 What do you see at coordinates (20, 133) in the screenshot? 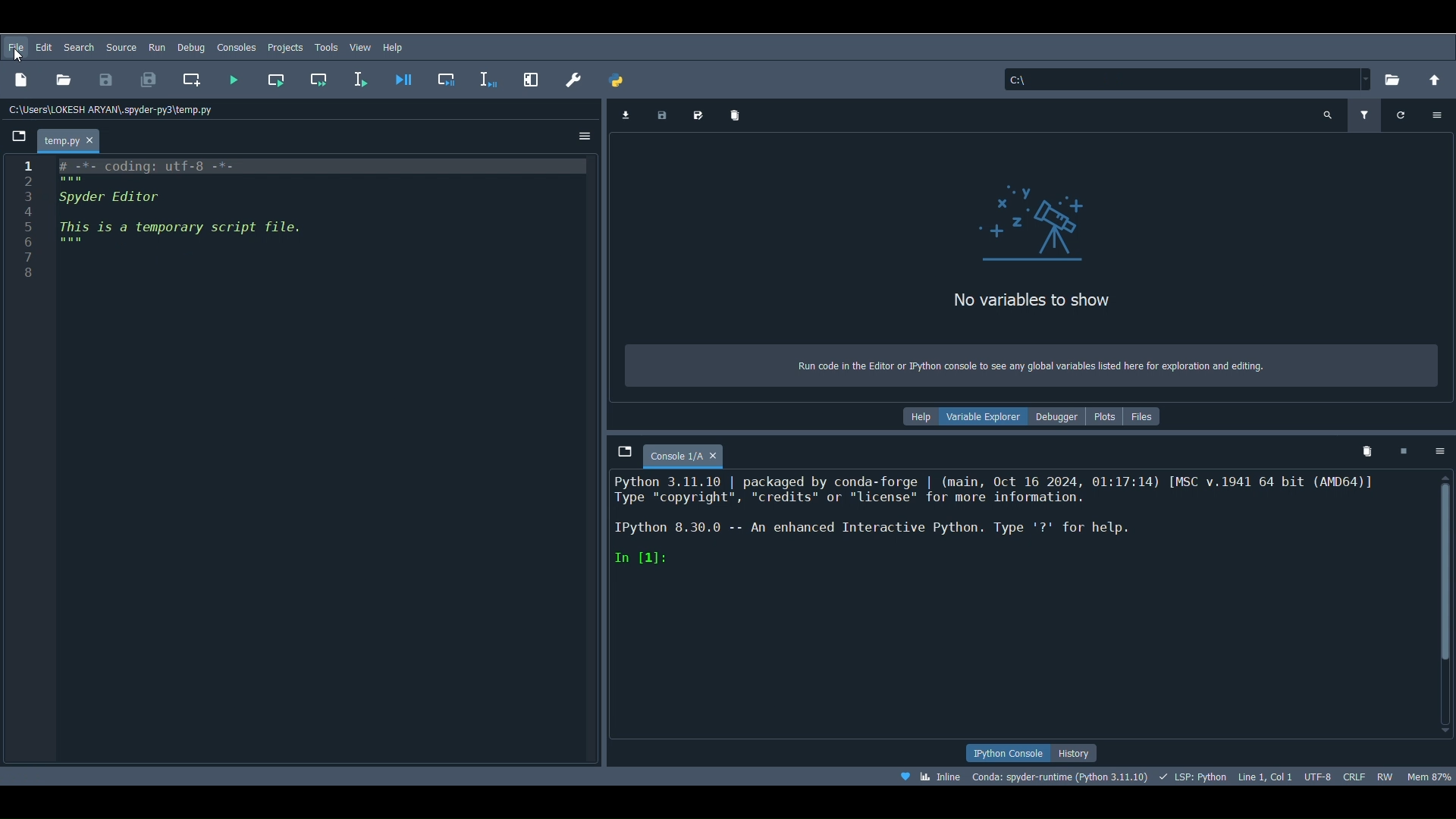
I see `Browse tabs` at bounding box center [20, 133].